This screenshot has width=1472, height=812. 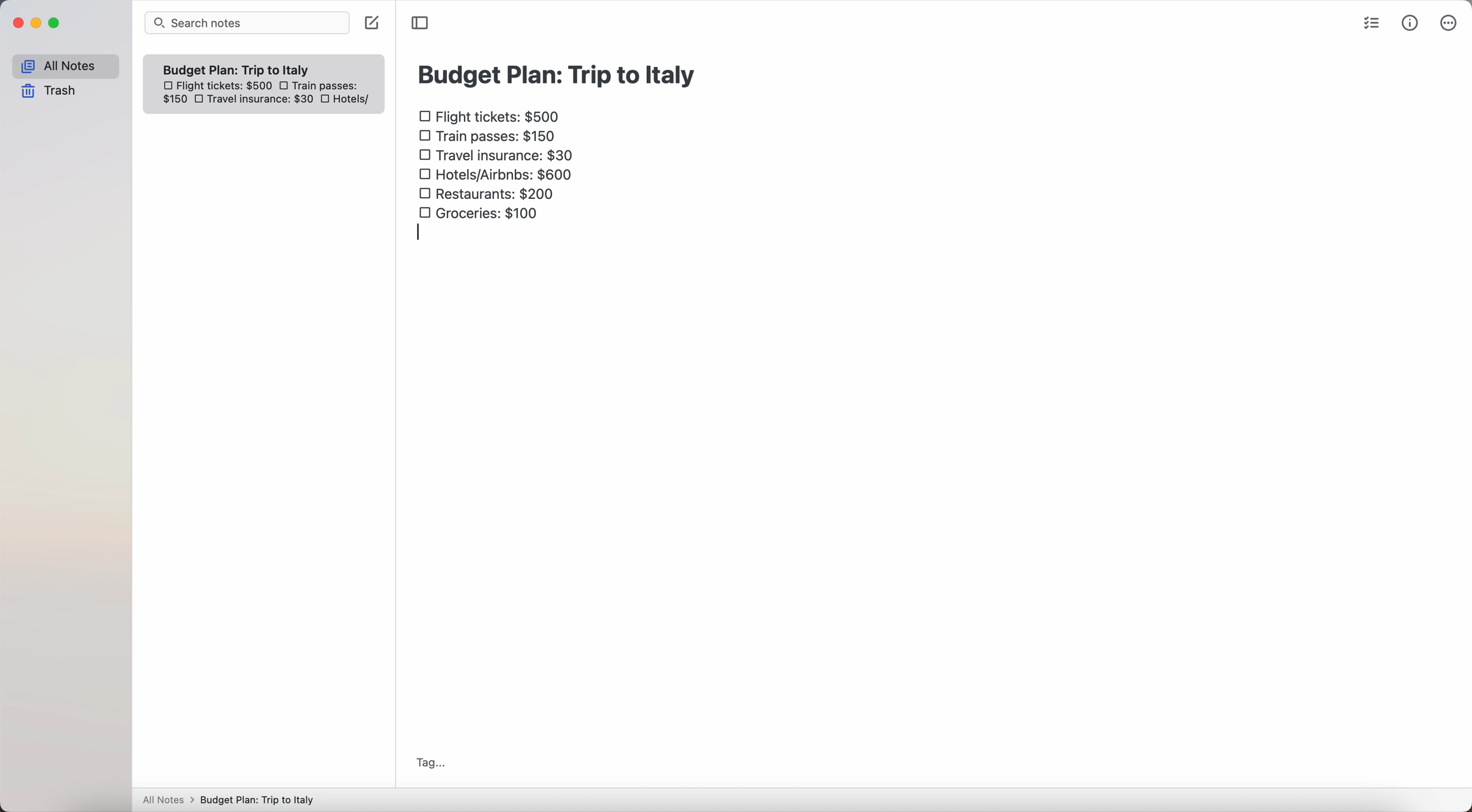 What do you see at coordinates (431, 763) in the screenshot?
I see `tag` at bounding box center [431, 763].